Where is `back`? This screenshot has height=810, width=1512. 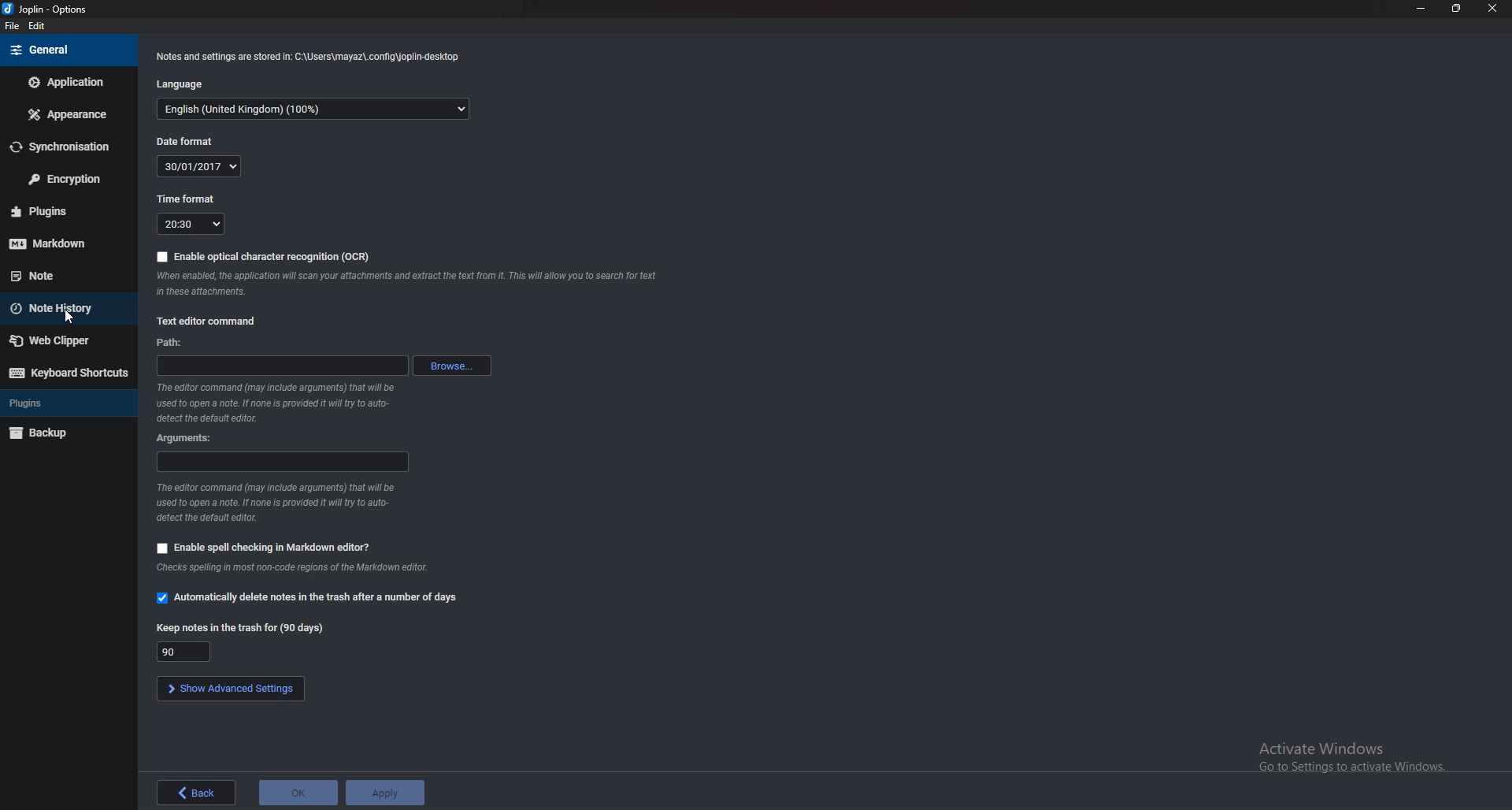 back is located at coordinates (196, 793).